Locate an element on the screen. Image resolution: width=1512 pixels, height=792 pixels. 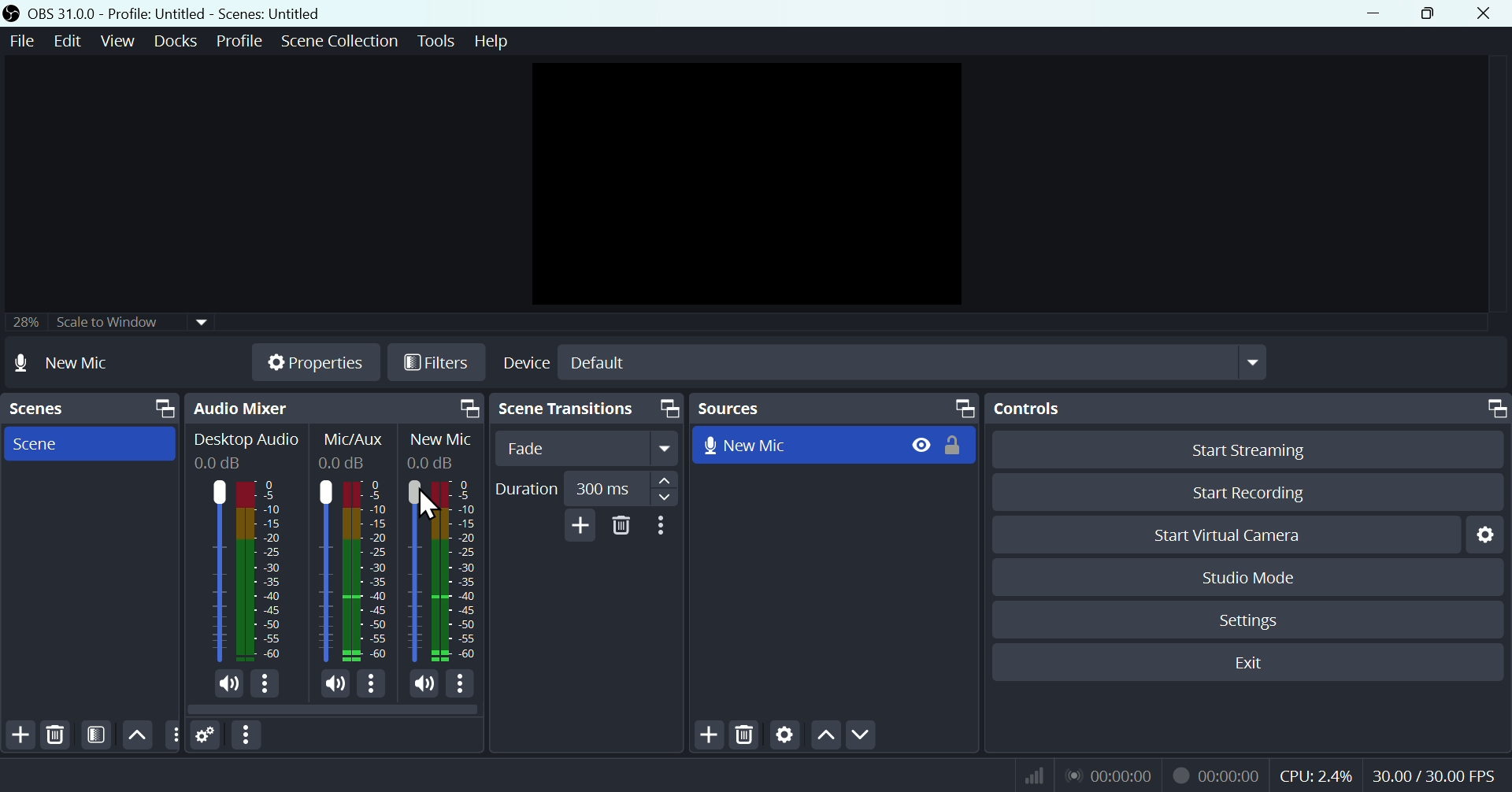
(un)mute is located at coordinates (227, 684).